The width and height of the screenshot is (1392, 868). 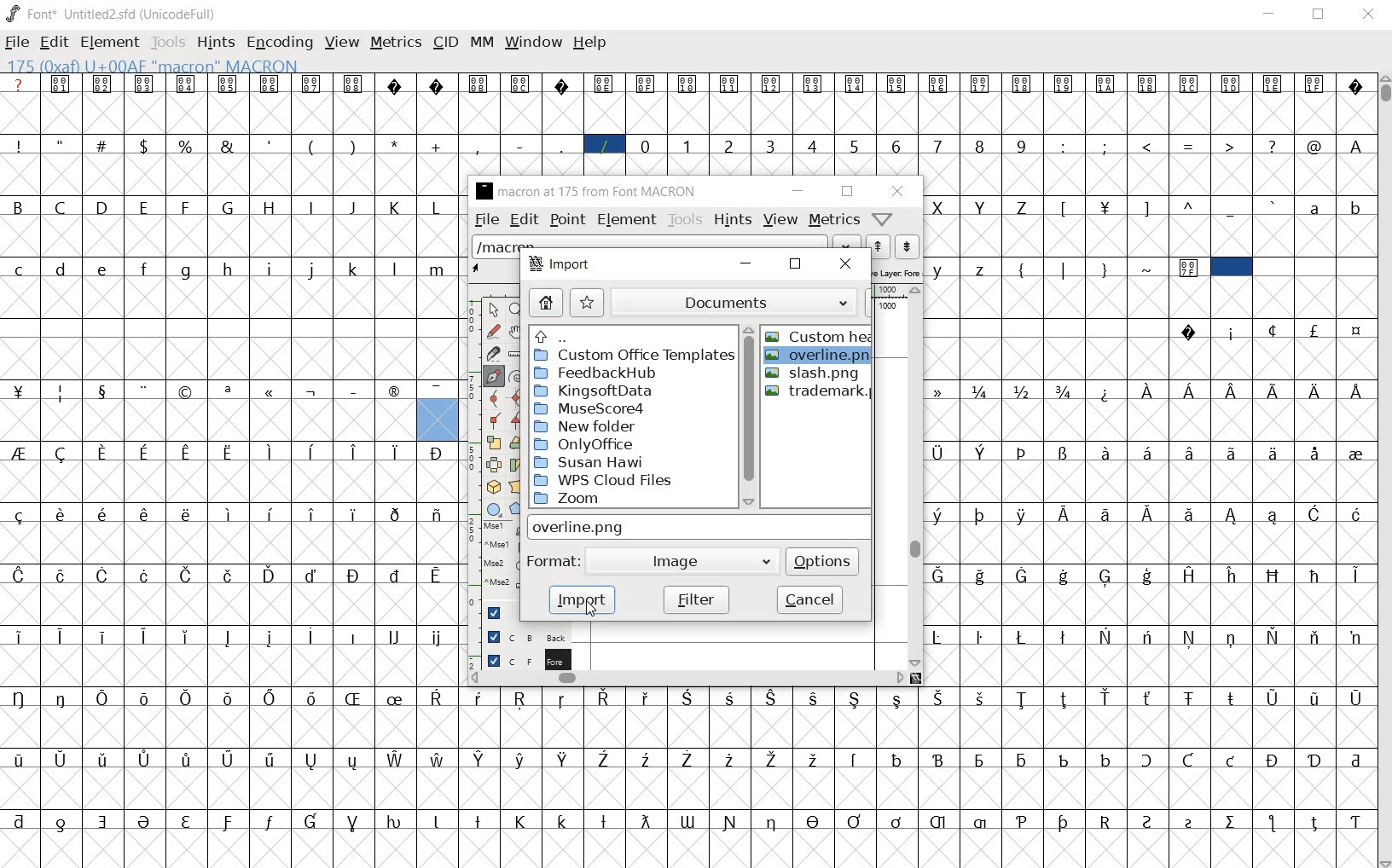 I want to click on MuseScore4, so click(x=612, y=410).